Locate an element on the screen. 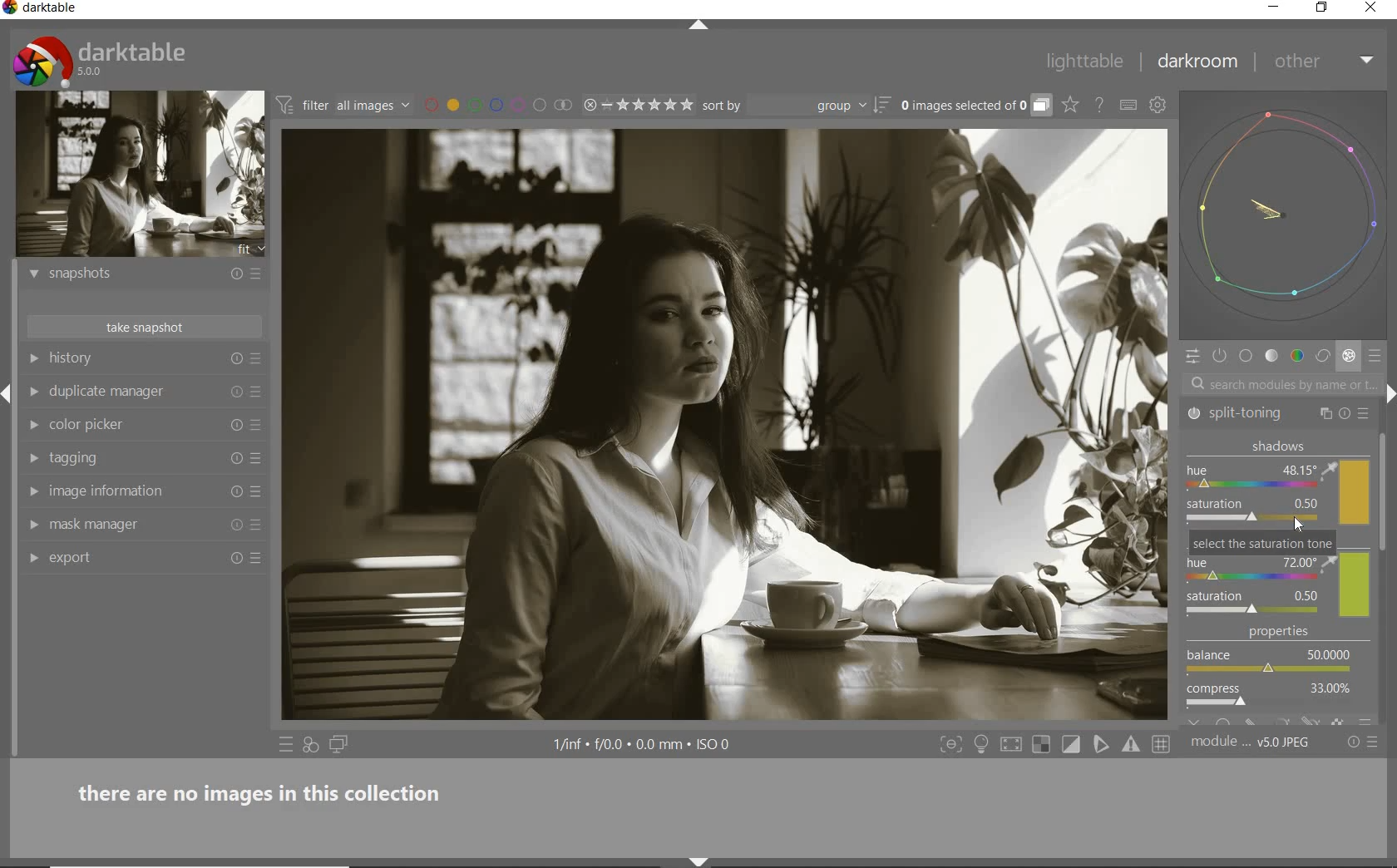  correct is located at coordinates (1323, 357).